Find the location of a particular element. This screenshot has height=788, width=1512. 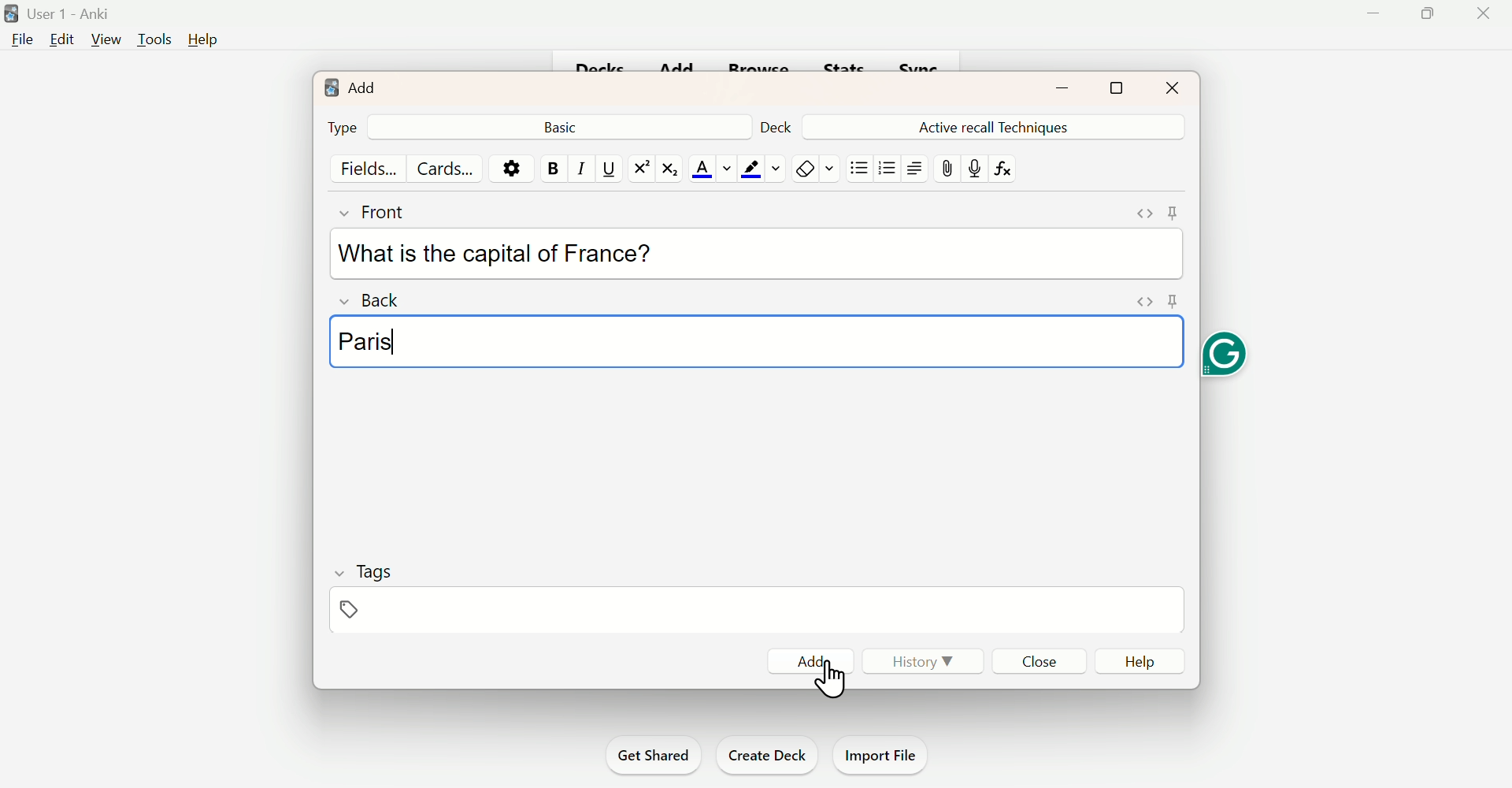

Maximise is located at coordinates (1426, 13).